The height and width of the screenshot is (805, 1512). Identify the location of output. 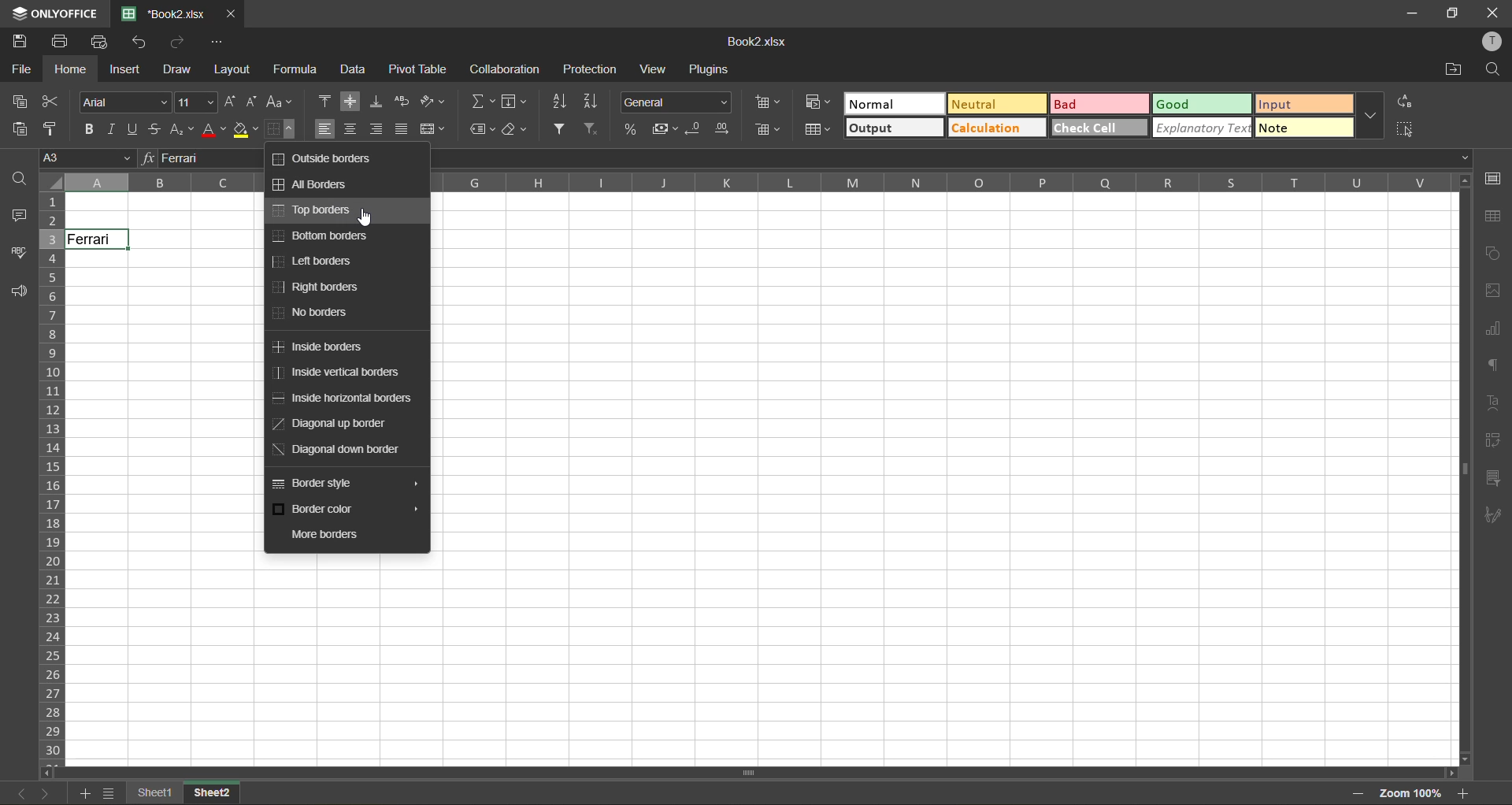
(897, 129).